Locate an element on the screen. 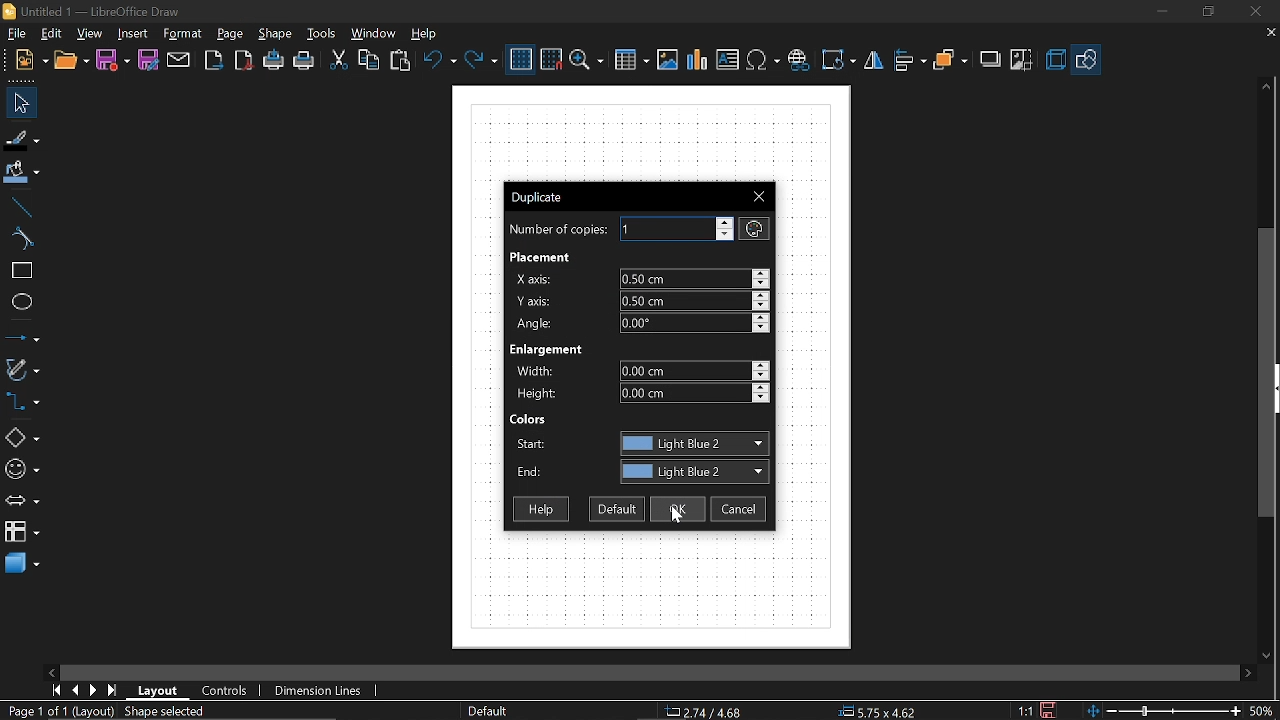  Fill line is located at coordinates (23, 140).